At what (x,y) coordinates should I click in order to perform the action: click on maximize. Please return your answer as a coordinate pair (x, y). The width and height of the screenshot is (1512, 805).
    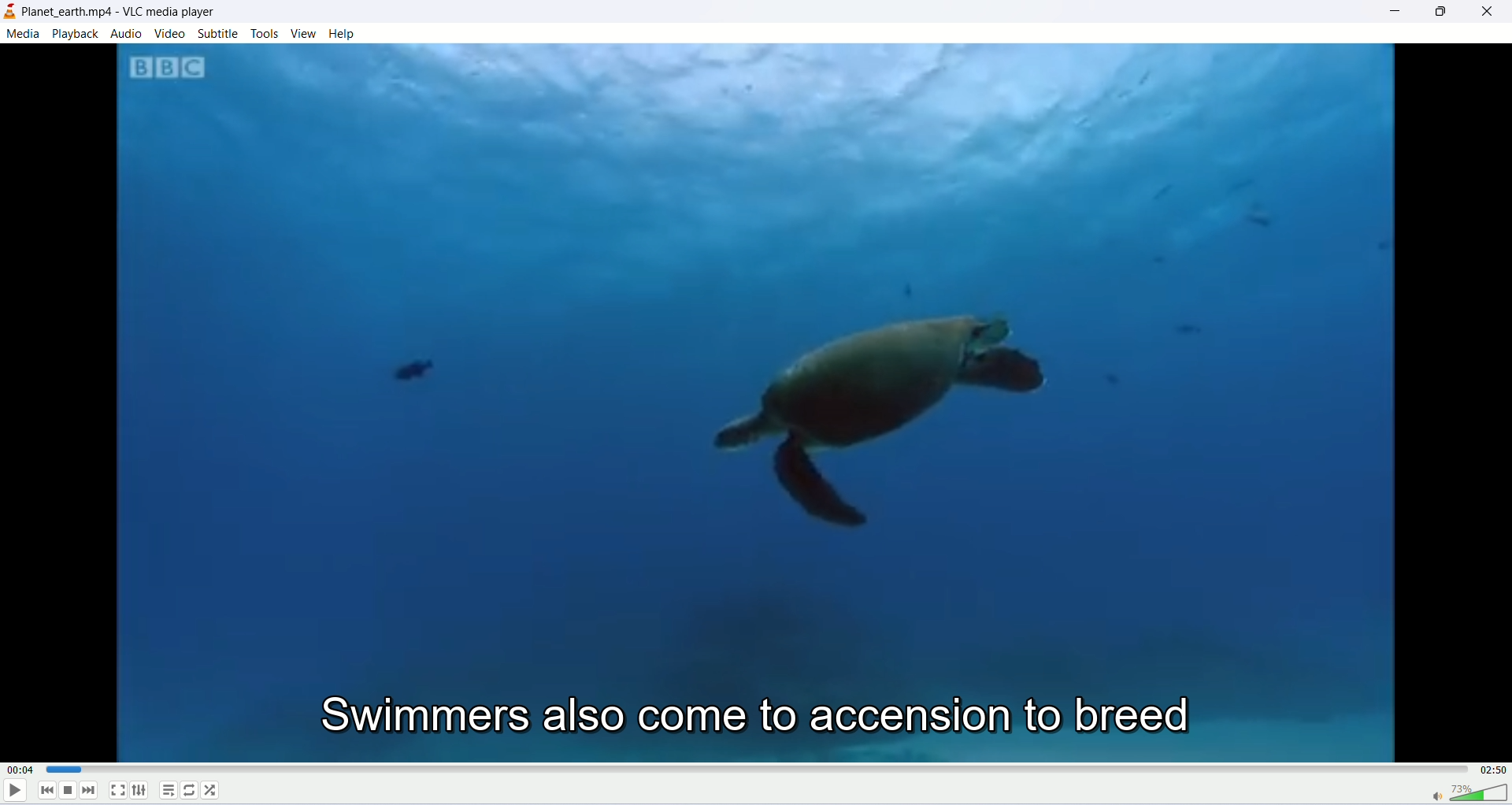
    Looking at the image, I should click on (1443, 13).